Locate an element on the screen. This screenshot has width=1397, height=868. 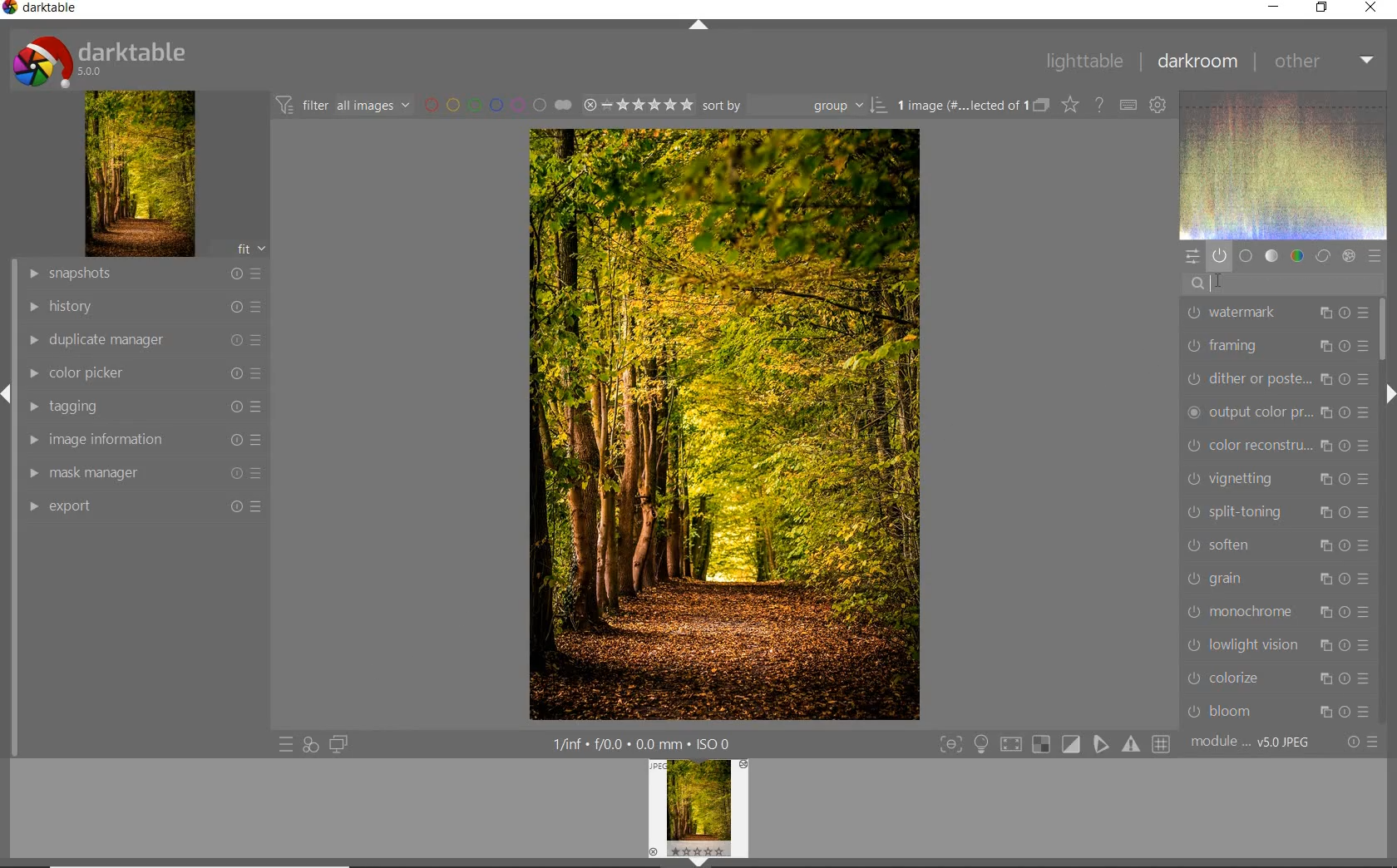
split toning is located at coordinates (1279, 514).